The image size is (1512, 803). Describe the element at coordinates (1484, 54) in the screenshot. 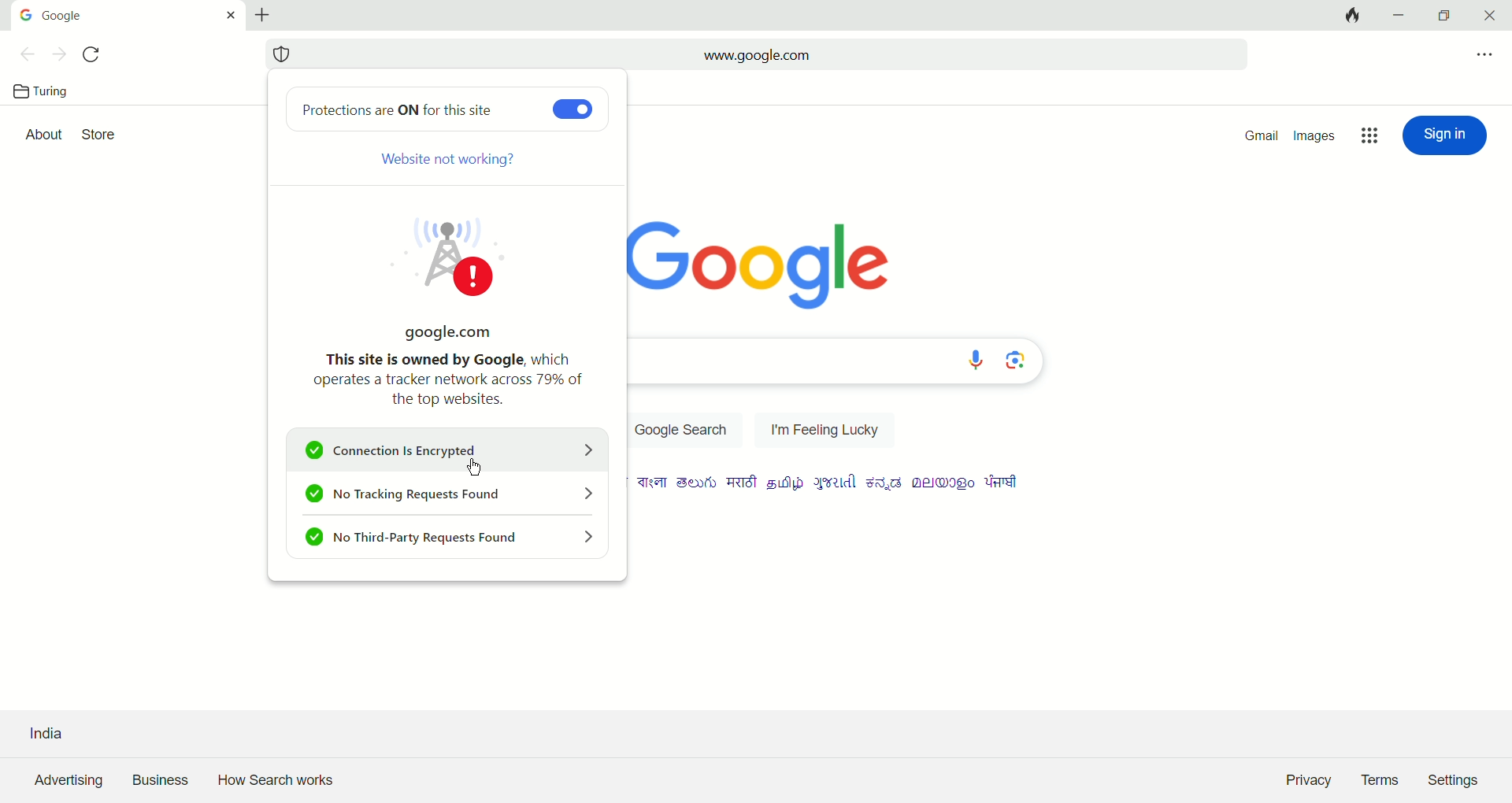

I see `options` at that location.